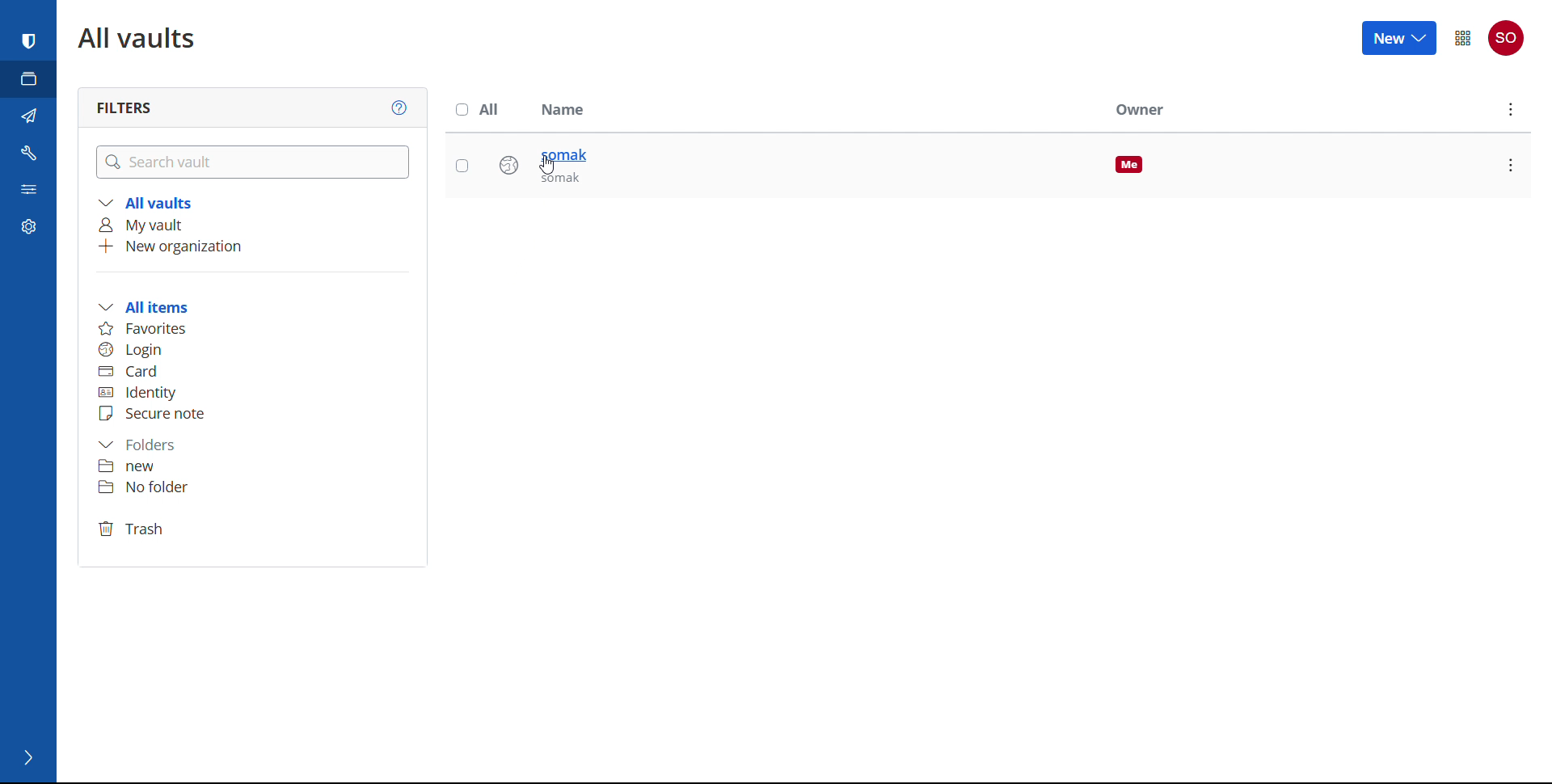  What do you see at coordinates (1138, 110) in the screenshot?
I see `owner` at bounding box center [1138, 110].